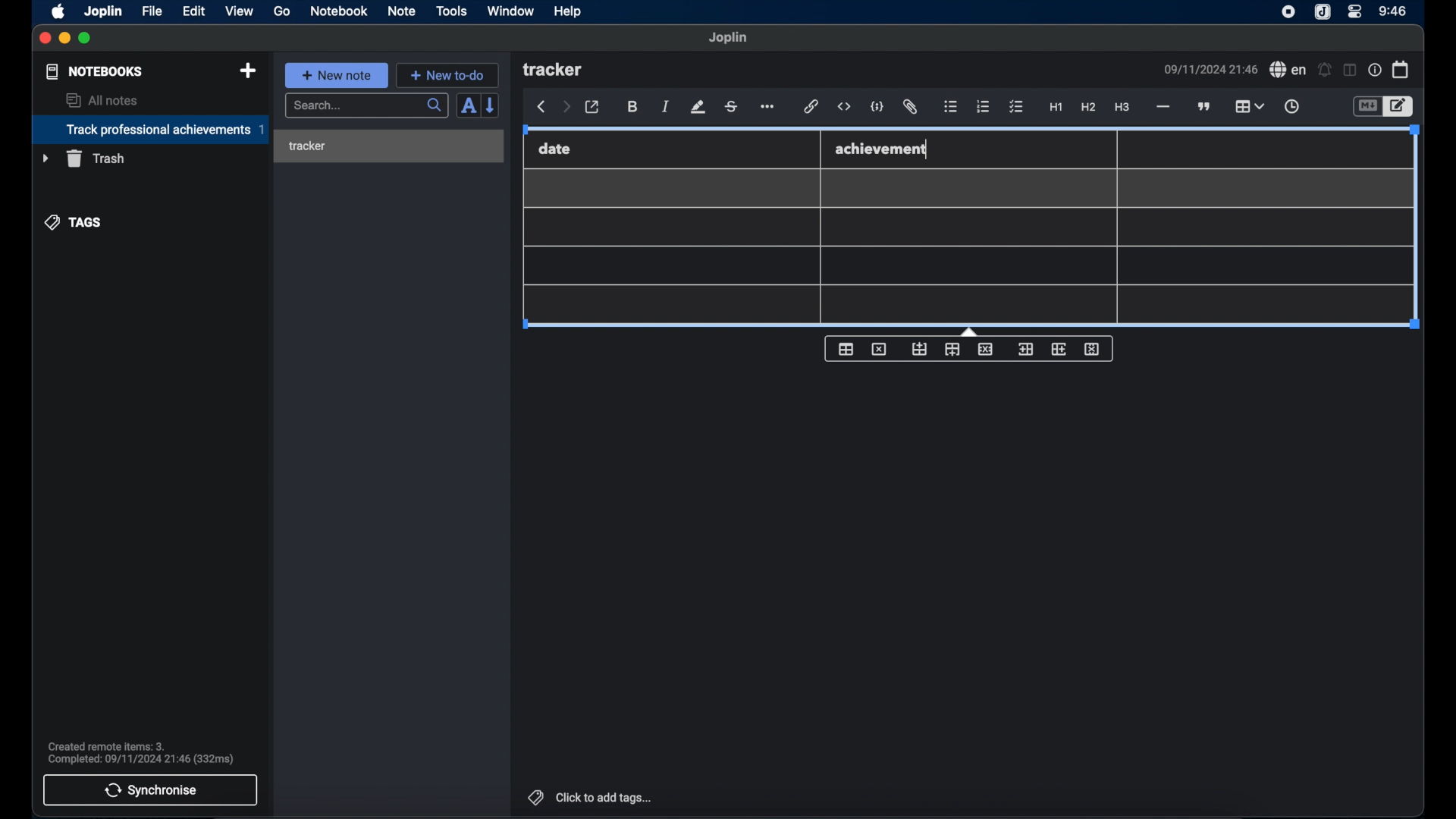  Describe the element at coordinates (1366, 106) in the screenshot. I see `toggle editor` at that location.